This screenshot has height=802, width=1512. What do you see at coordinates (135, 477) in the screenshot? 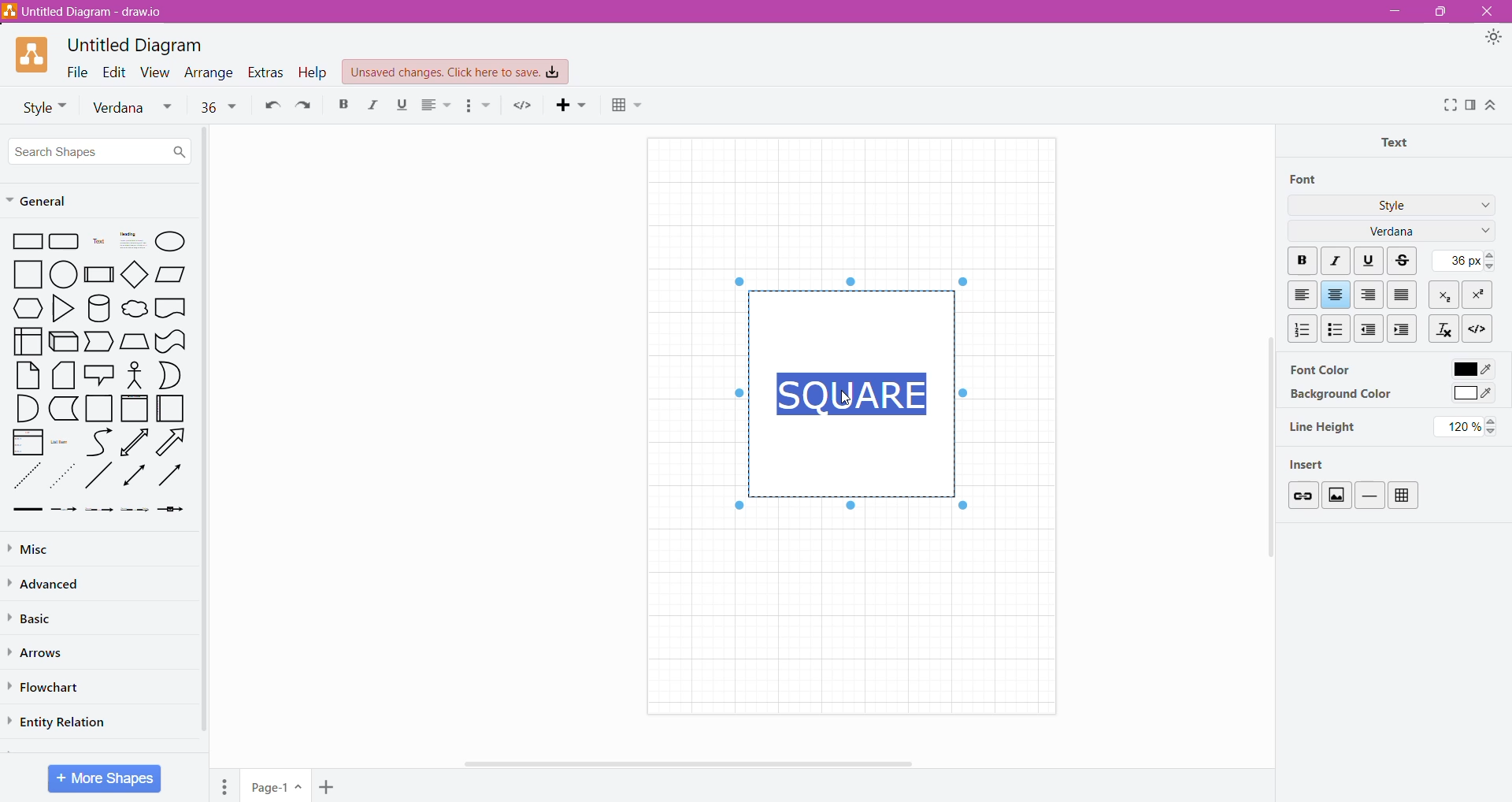
I see `Double Arrow ` at bounding box center [135, 477].